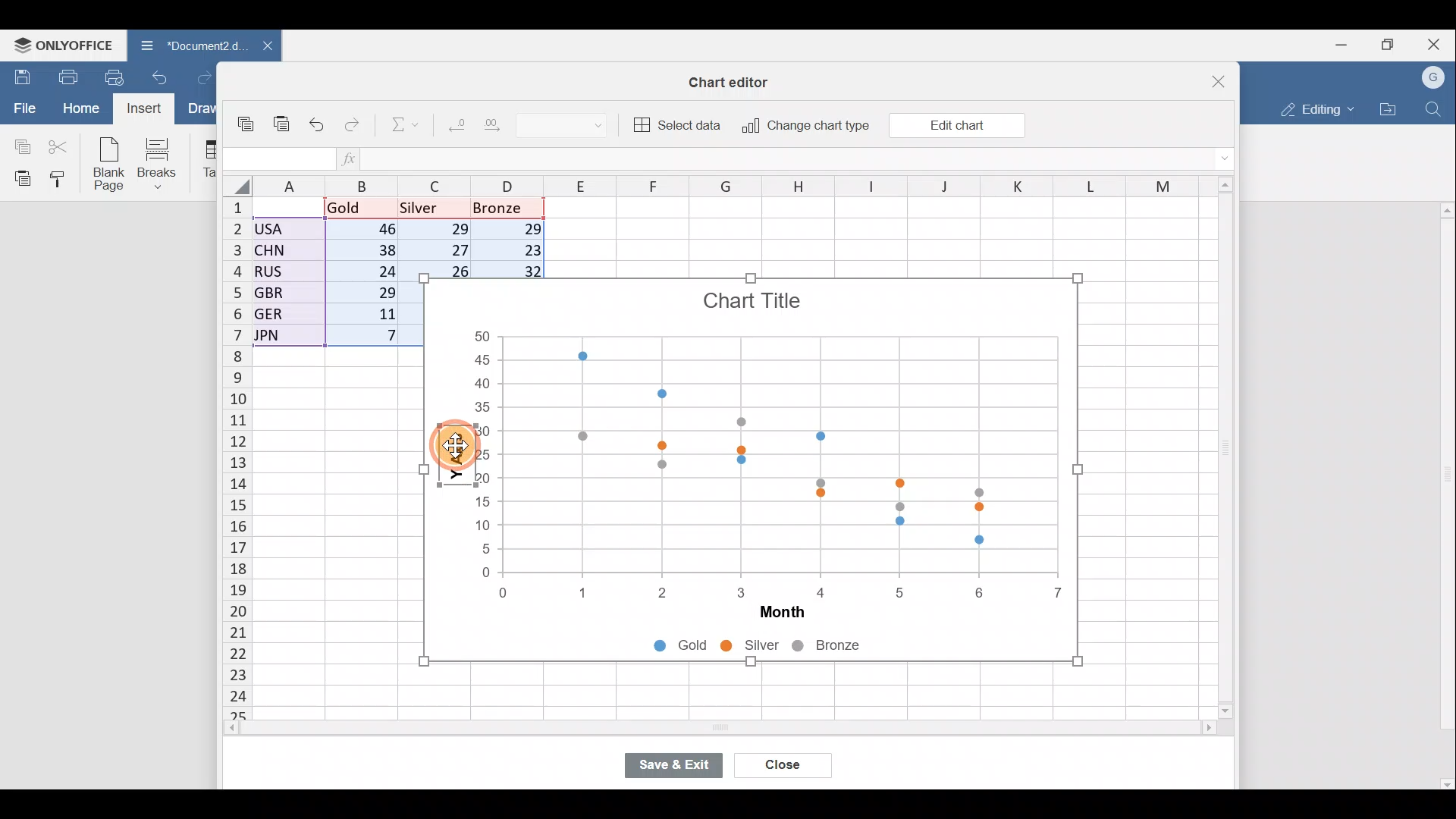  What do you see at coordinates (791, 160) in the screenshot?
I see `Formula bar` at bounding box center [791, 160].